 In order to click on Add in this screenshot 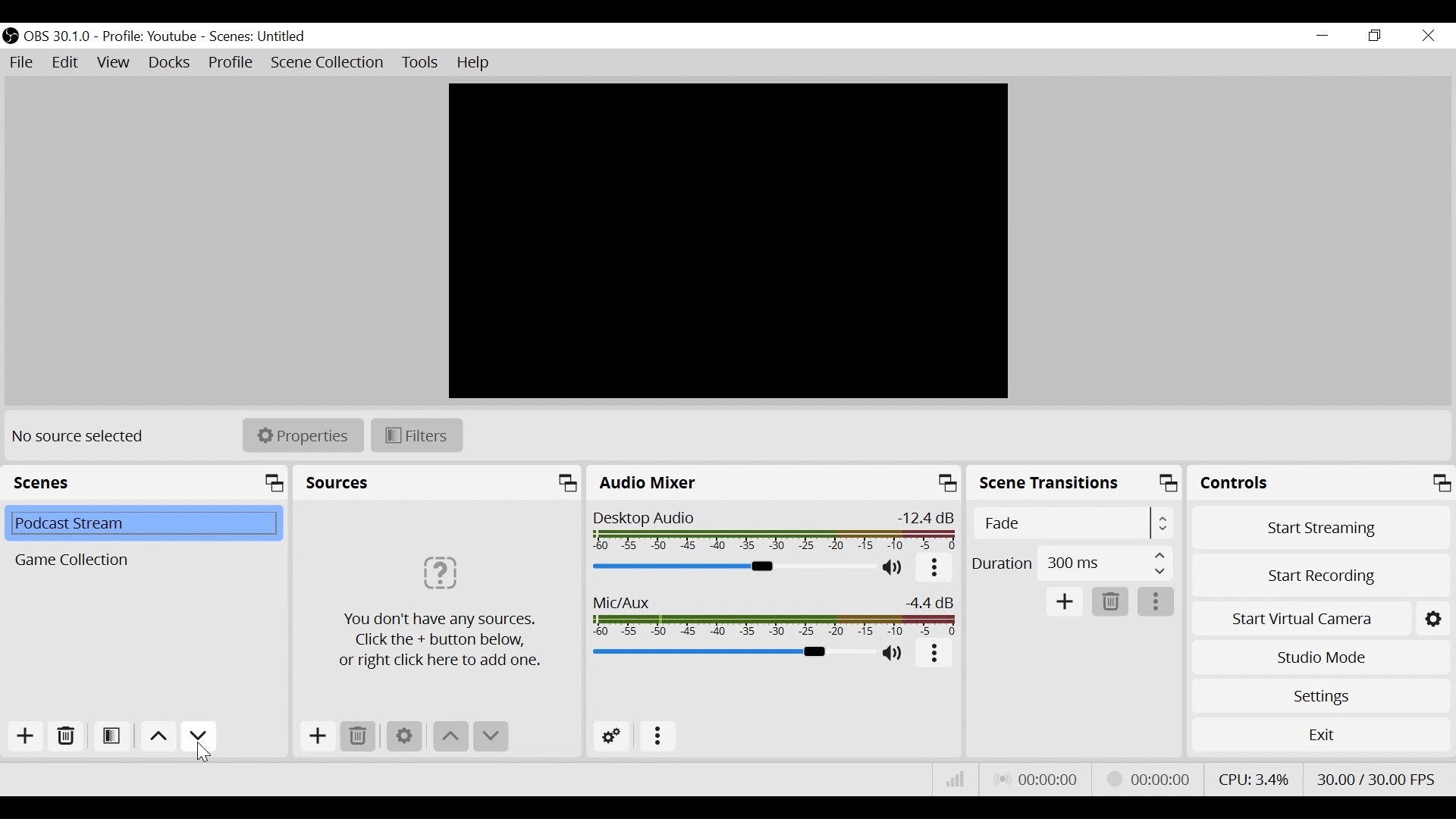, I will do `click(315, 736)`.